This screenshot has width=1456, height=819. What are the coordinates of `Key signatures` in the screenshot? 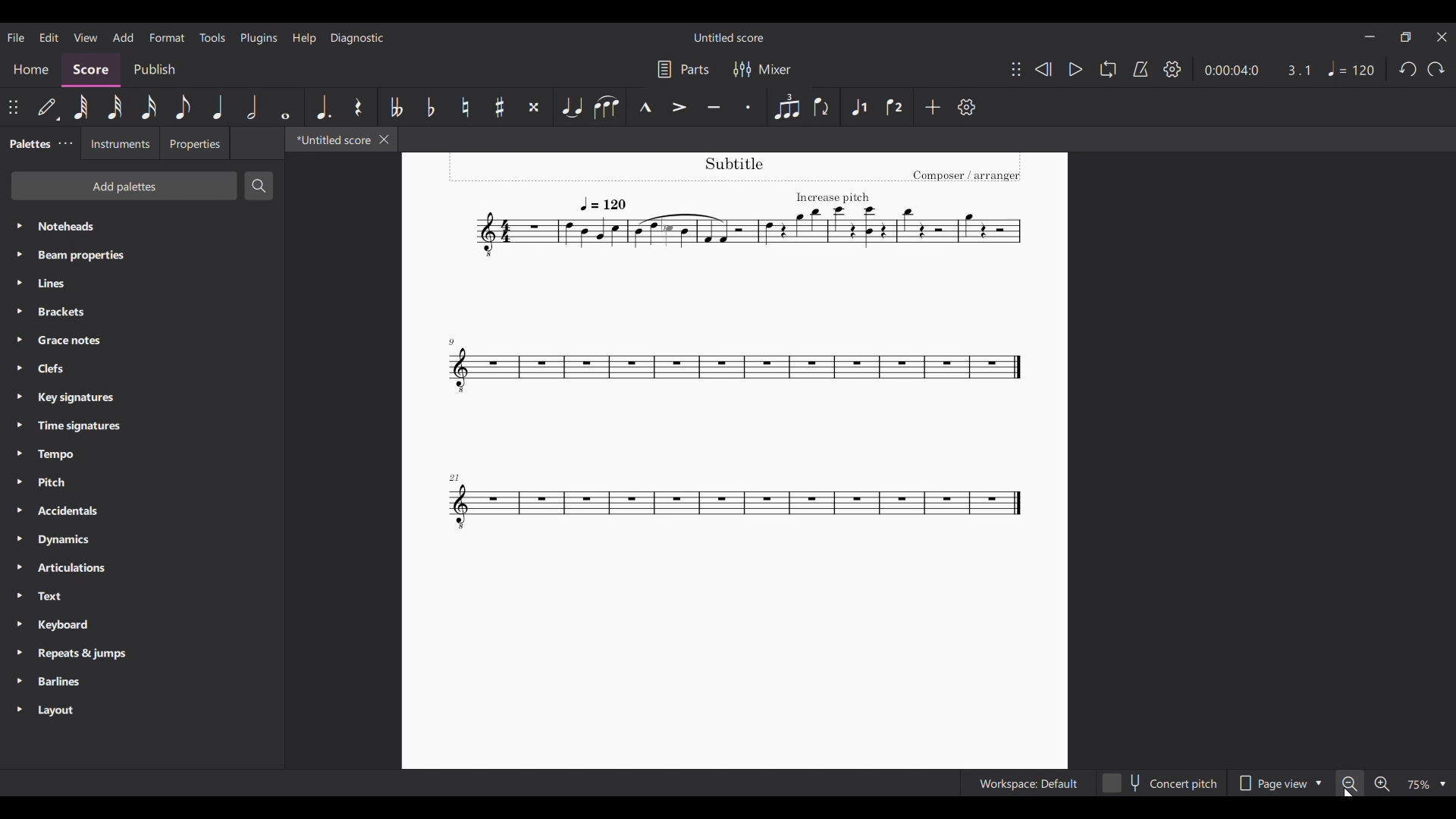 It's located at (143, 398).